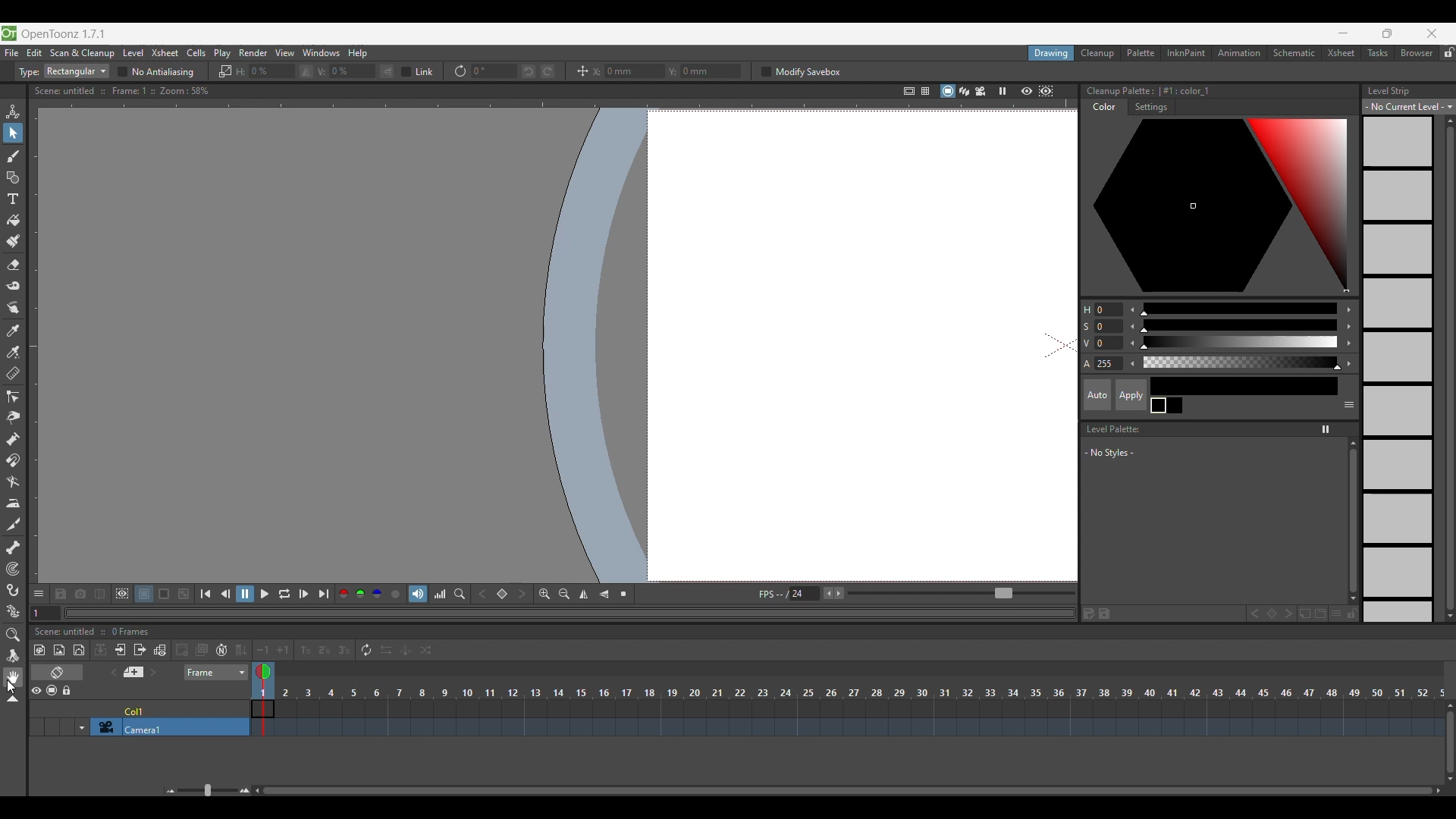 This screenshot has width=1456, height=819. I want to click on Tracker tool, so click(13, 569).